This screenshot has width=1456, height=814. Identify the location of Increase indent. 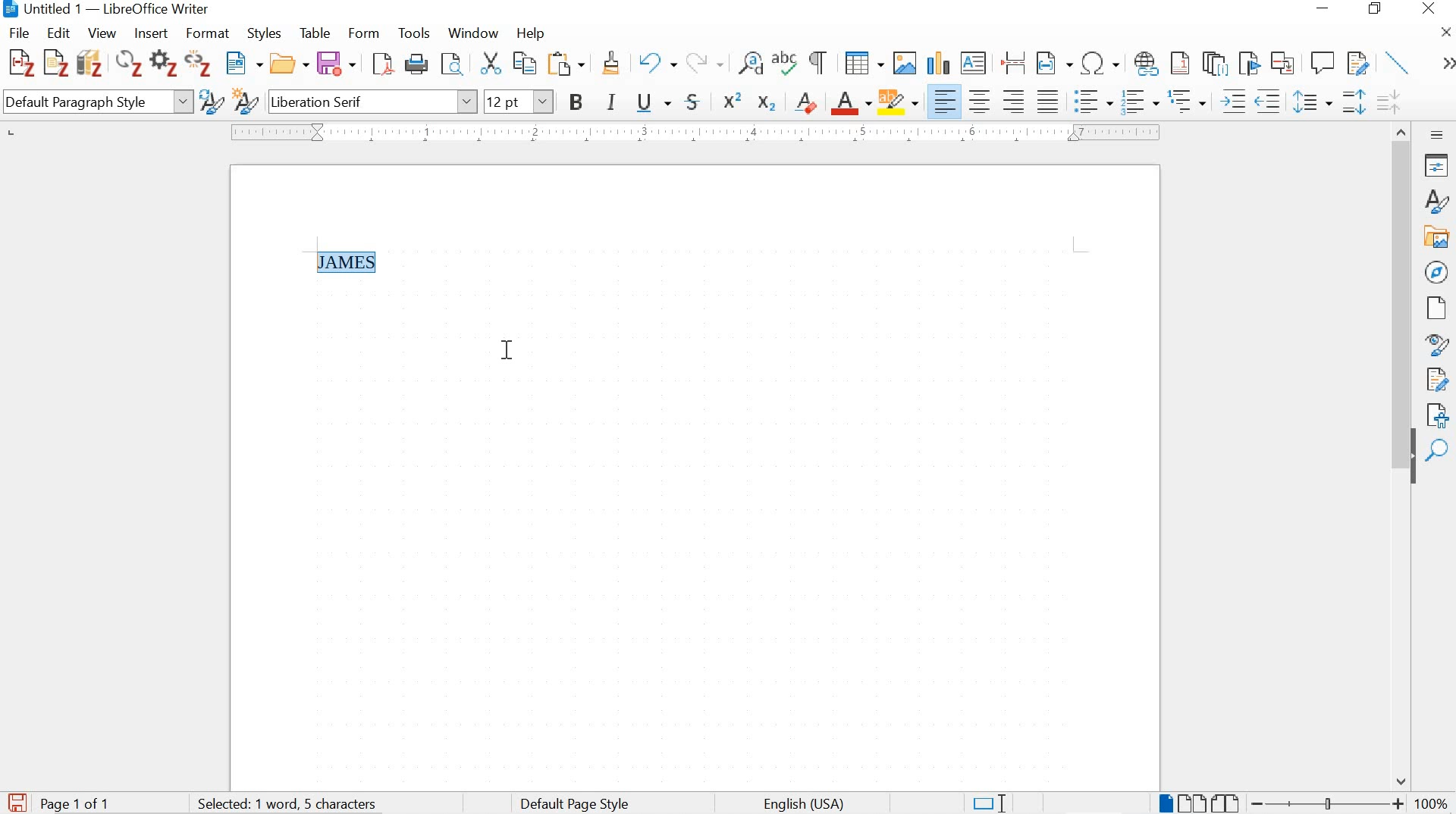
(1232, 101).